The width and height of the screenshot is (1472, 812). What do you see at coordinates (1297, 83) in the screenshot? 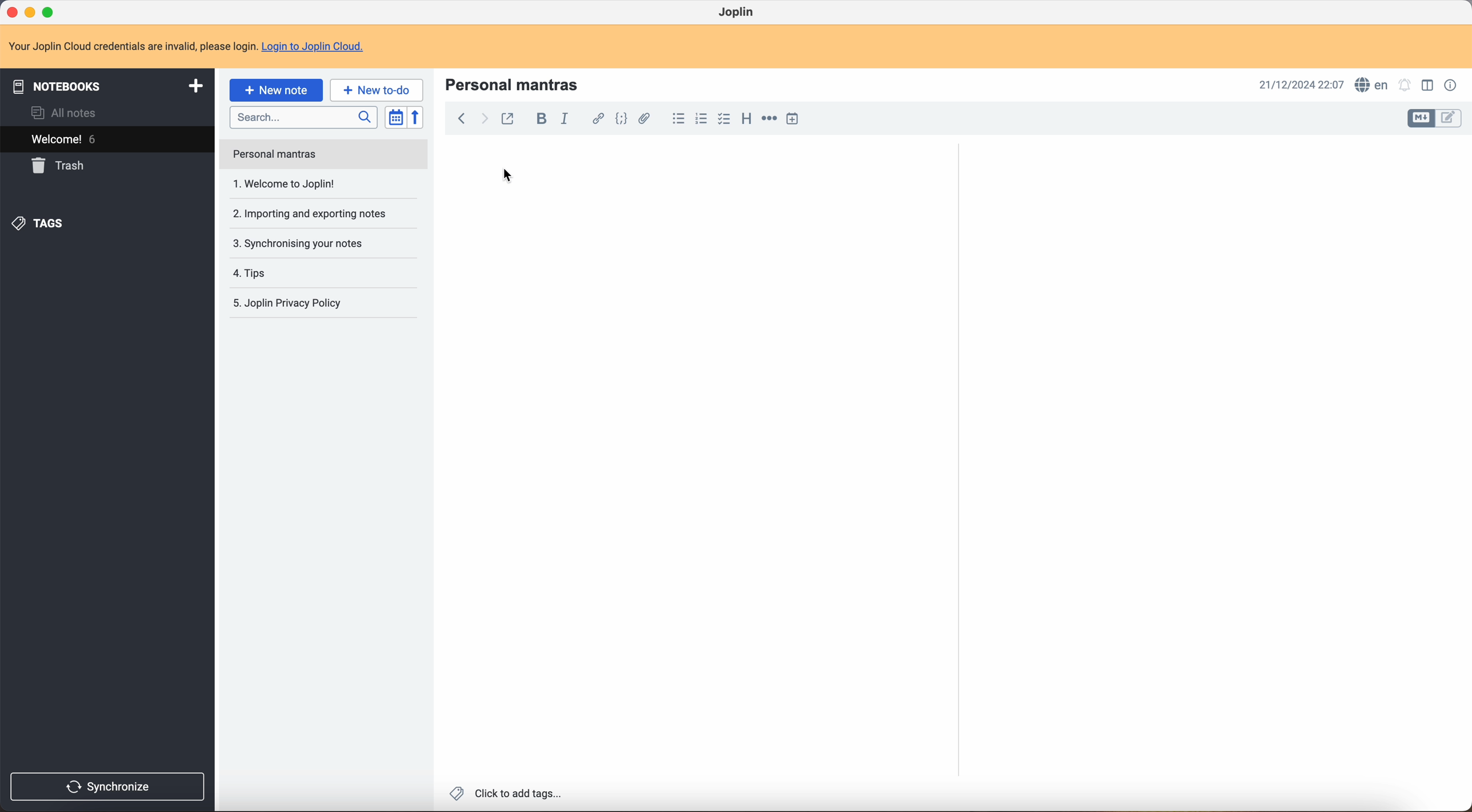
I see `date and hour` at bounding box center [1297, 83].